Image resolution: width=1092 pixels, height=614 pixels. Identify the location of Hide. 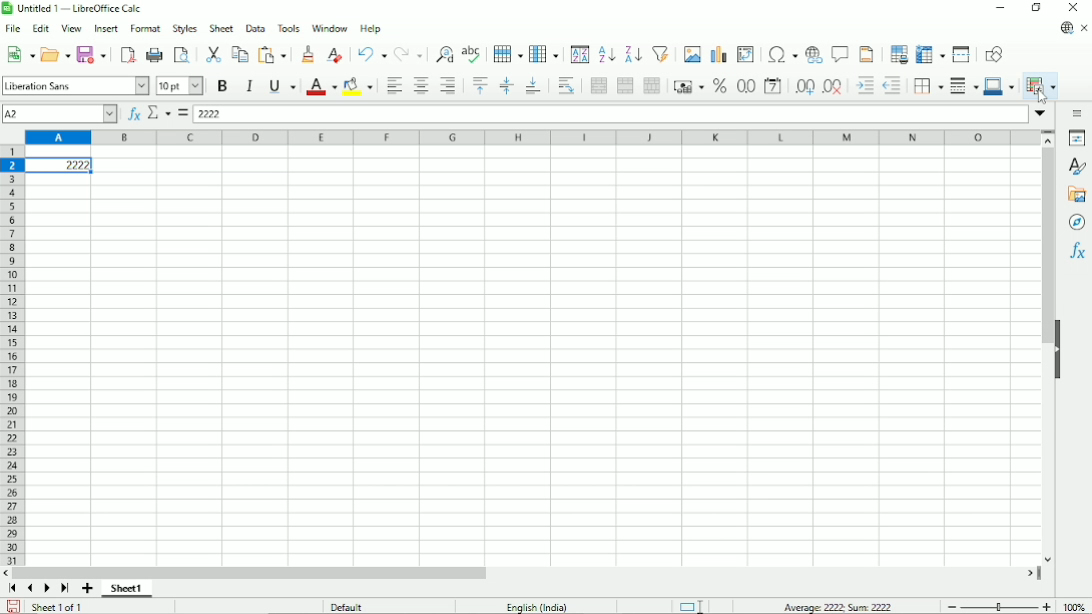
(1059, 350).